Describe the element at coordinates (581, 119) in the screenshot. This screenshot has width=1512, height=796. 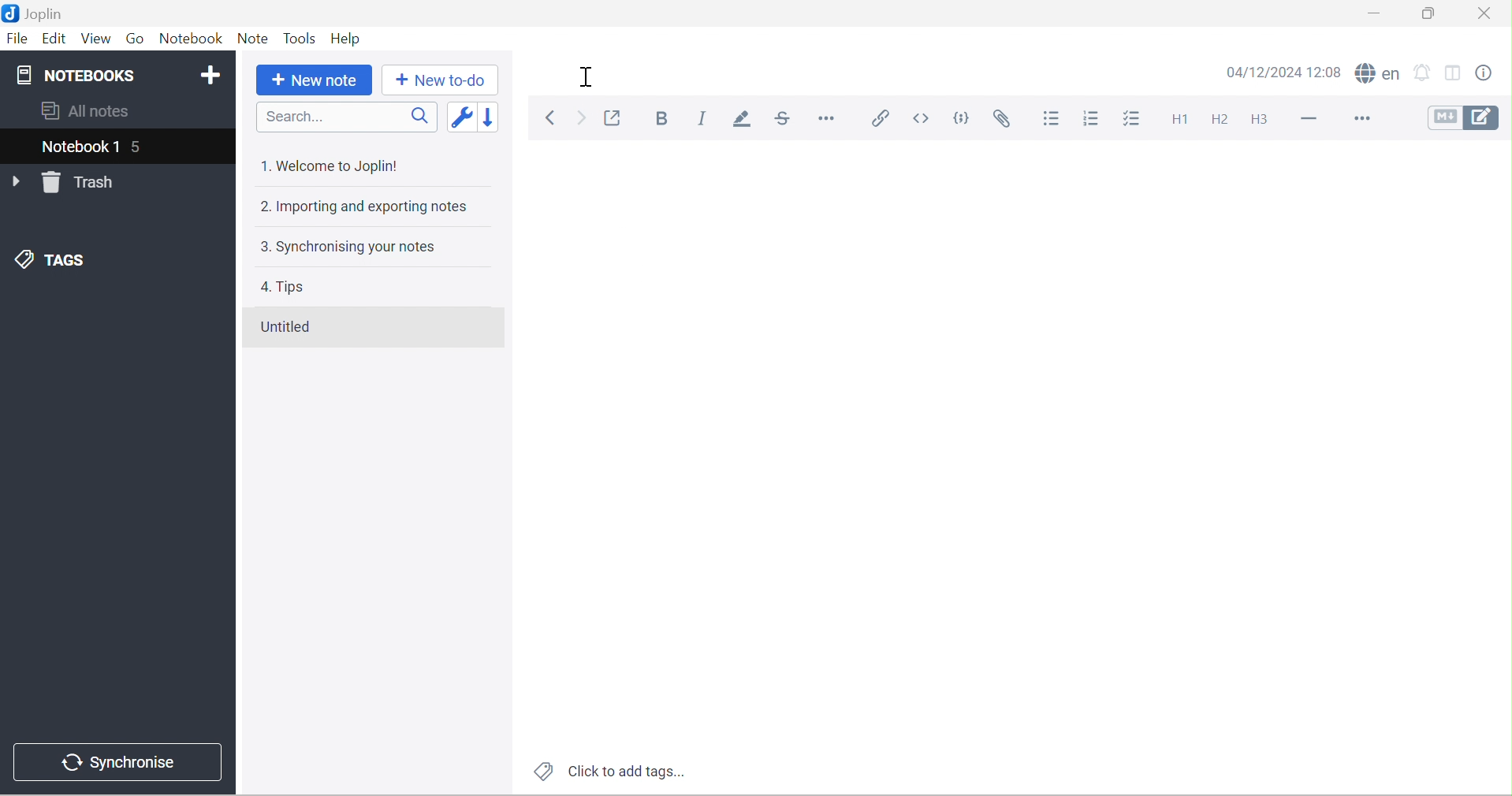
I see `Forward` at that location.